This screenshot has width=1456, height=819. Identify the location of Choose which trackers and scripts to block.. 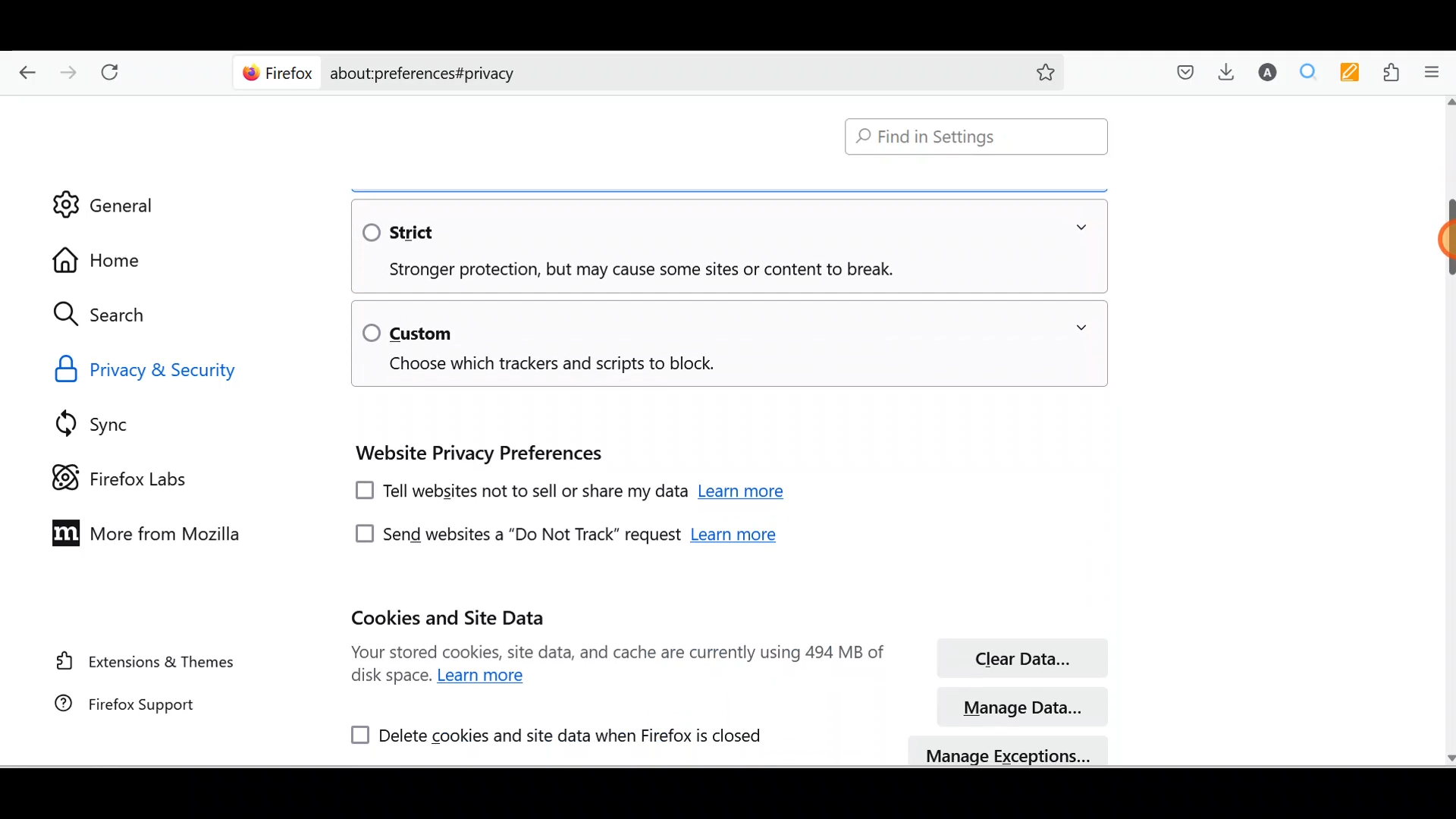
(542, 366).